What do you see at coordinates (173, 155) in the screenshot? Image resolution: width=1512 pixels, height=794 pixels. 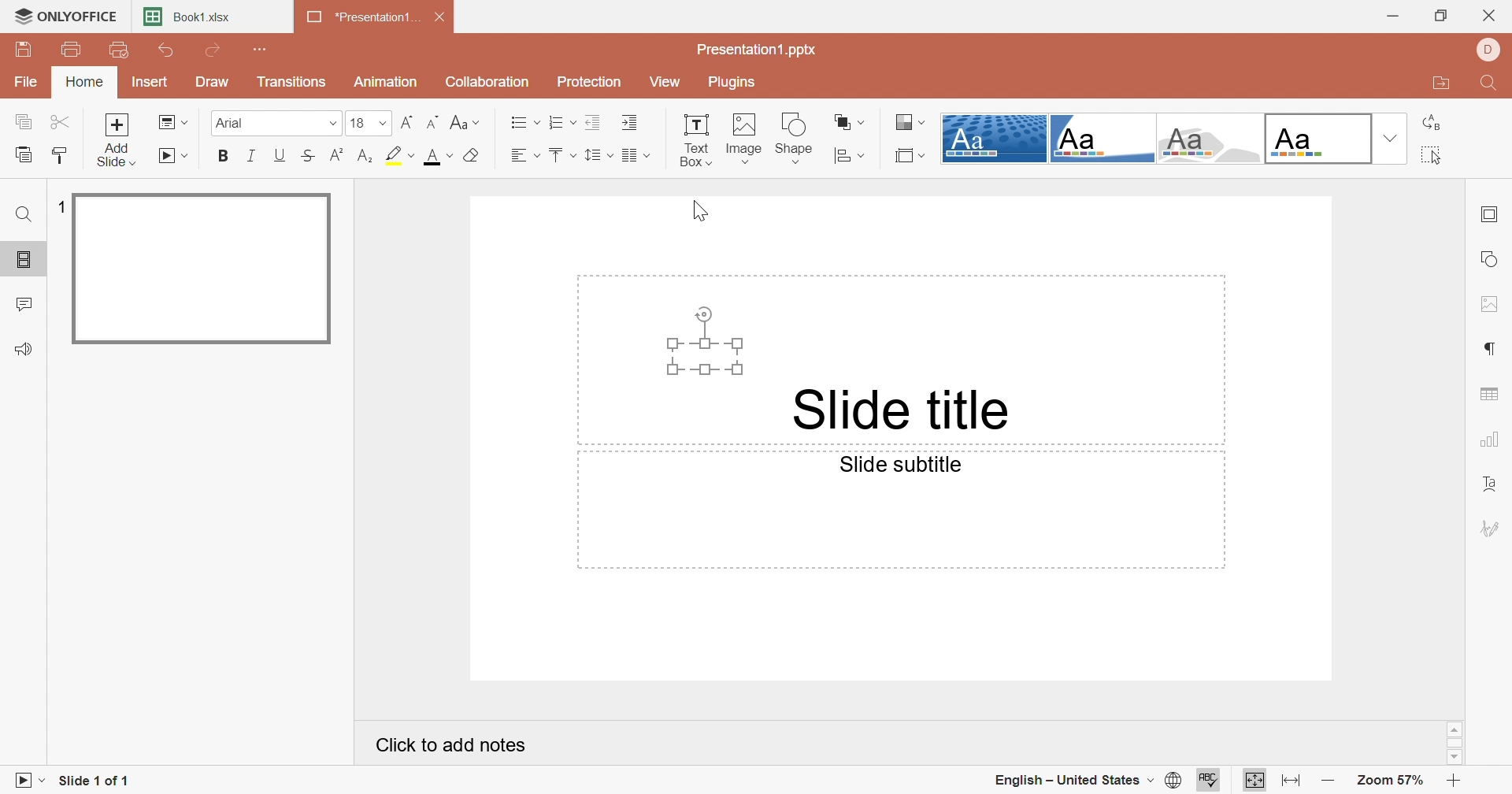 I see `Start slideshow` at bounding box center [173, 155].